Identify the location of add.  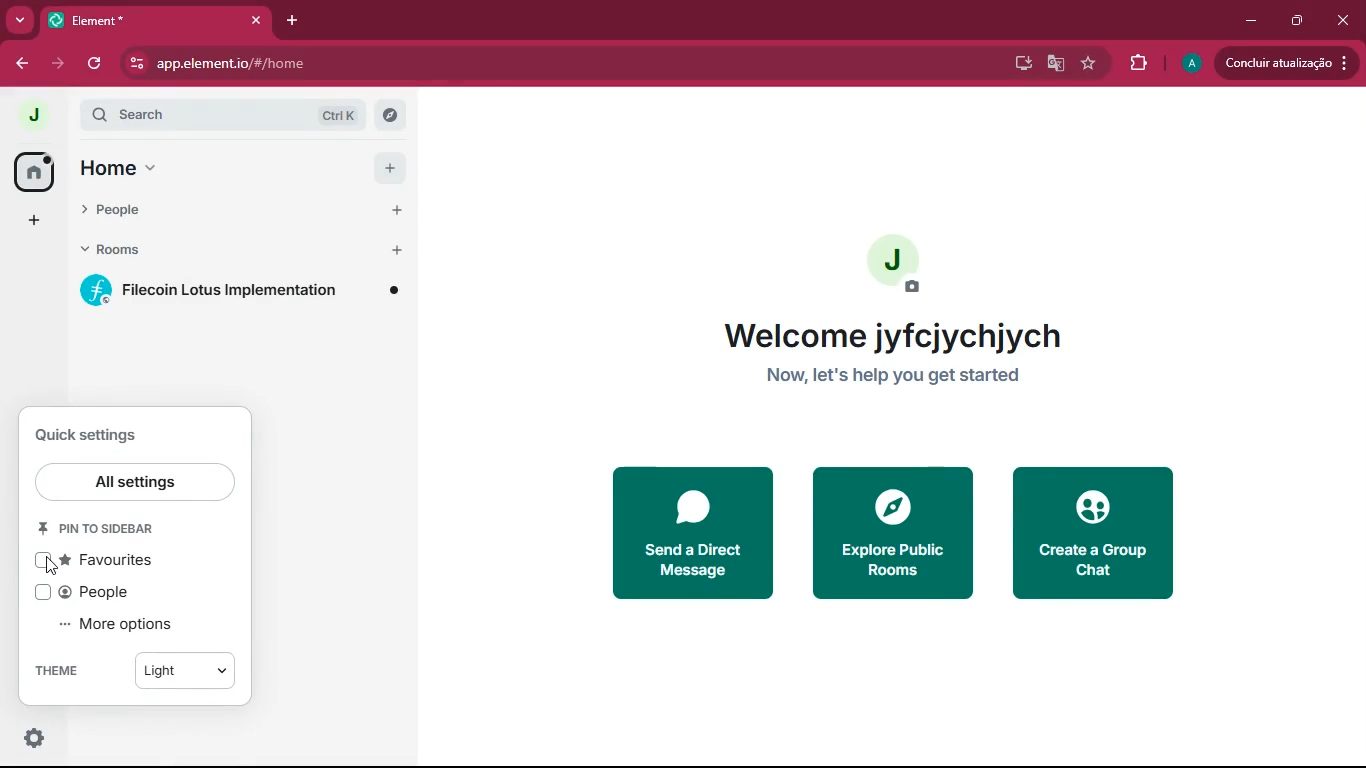
(32, 221).